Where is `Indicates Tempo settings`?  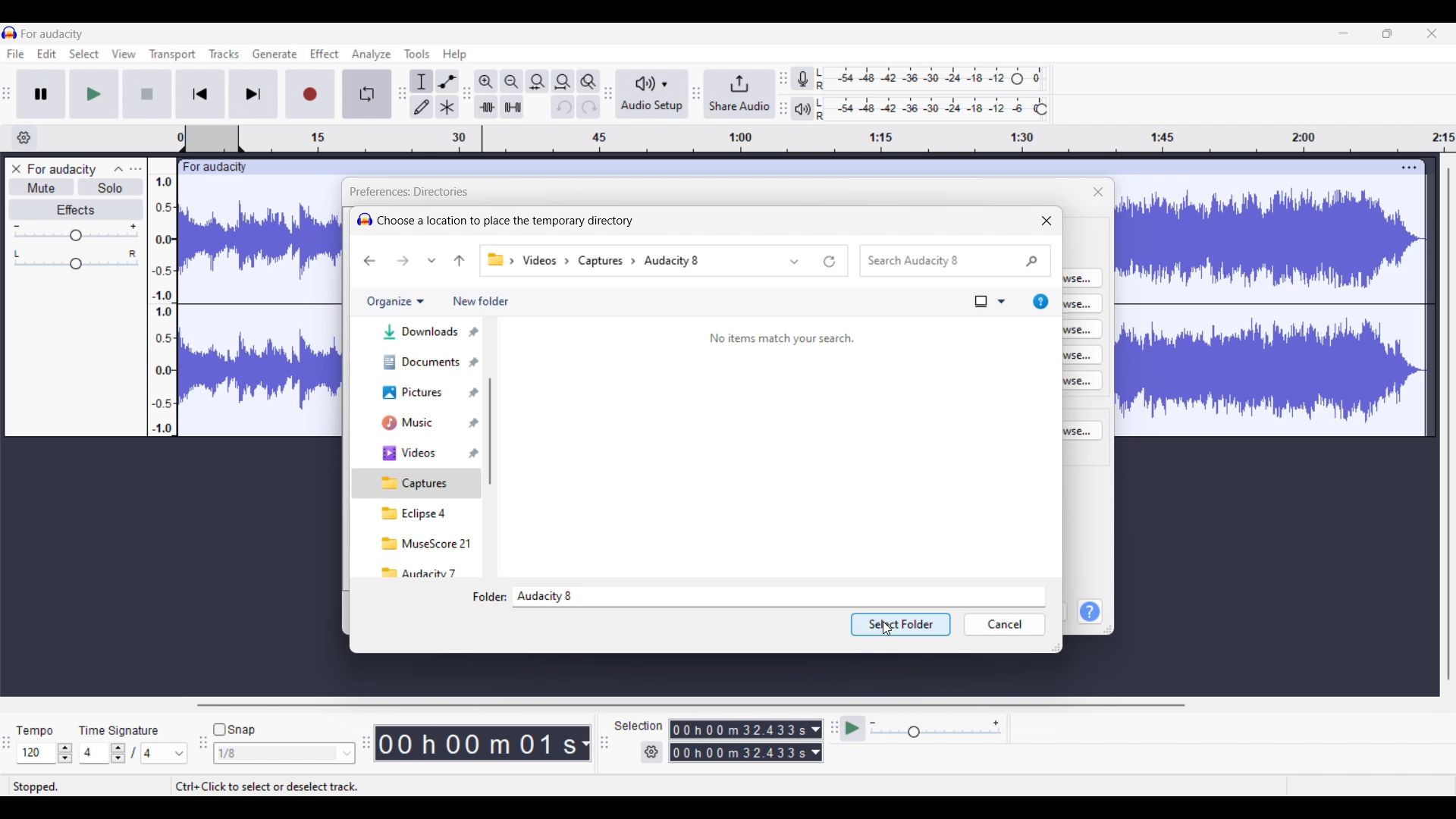 Indicates Tempo settings is located at coordinates (36, 730).